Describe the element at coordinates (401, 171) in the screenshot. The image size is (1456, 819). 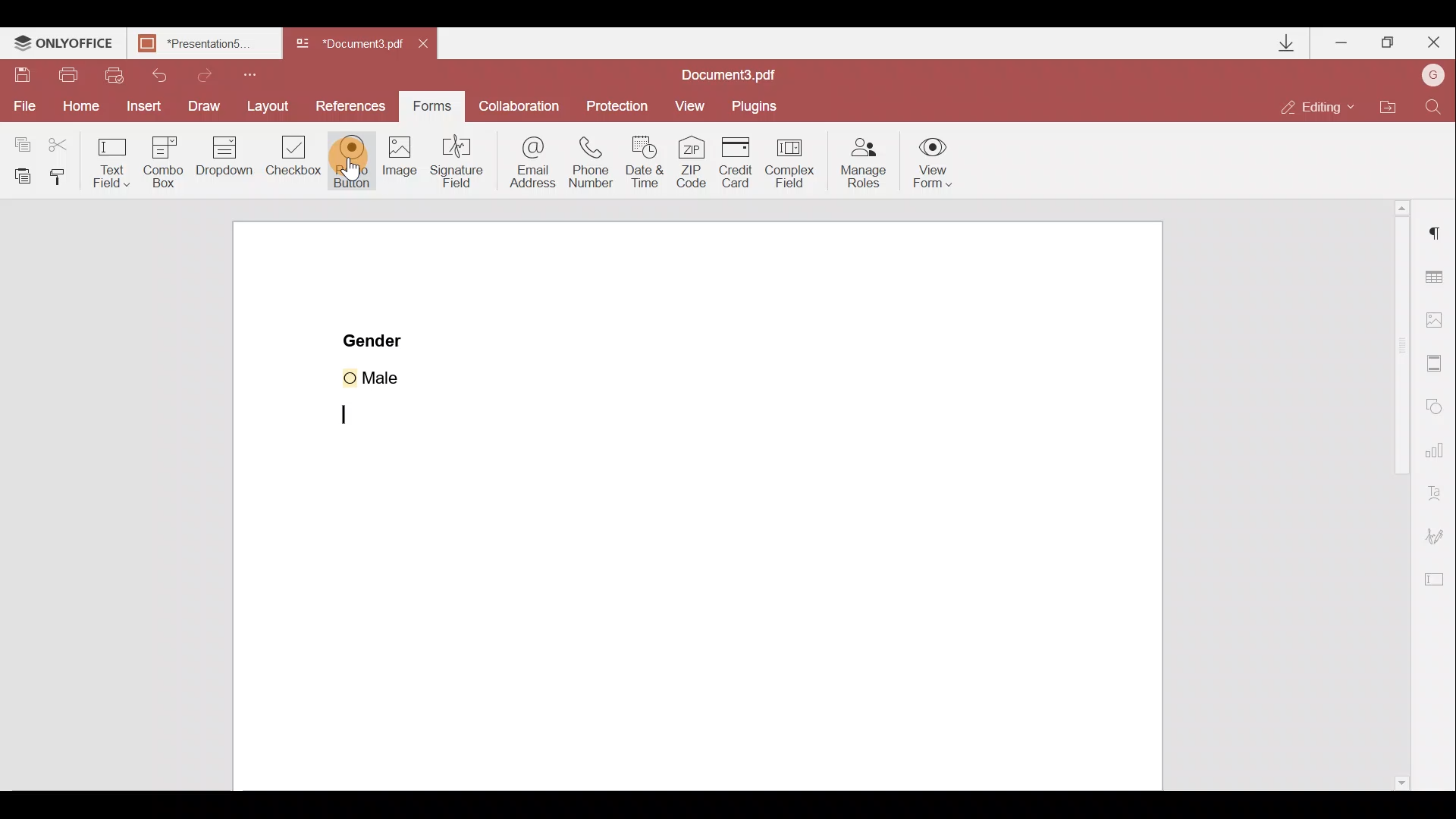
I see `Image` at that location.